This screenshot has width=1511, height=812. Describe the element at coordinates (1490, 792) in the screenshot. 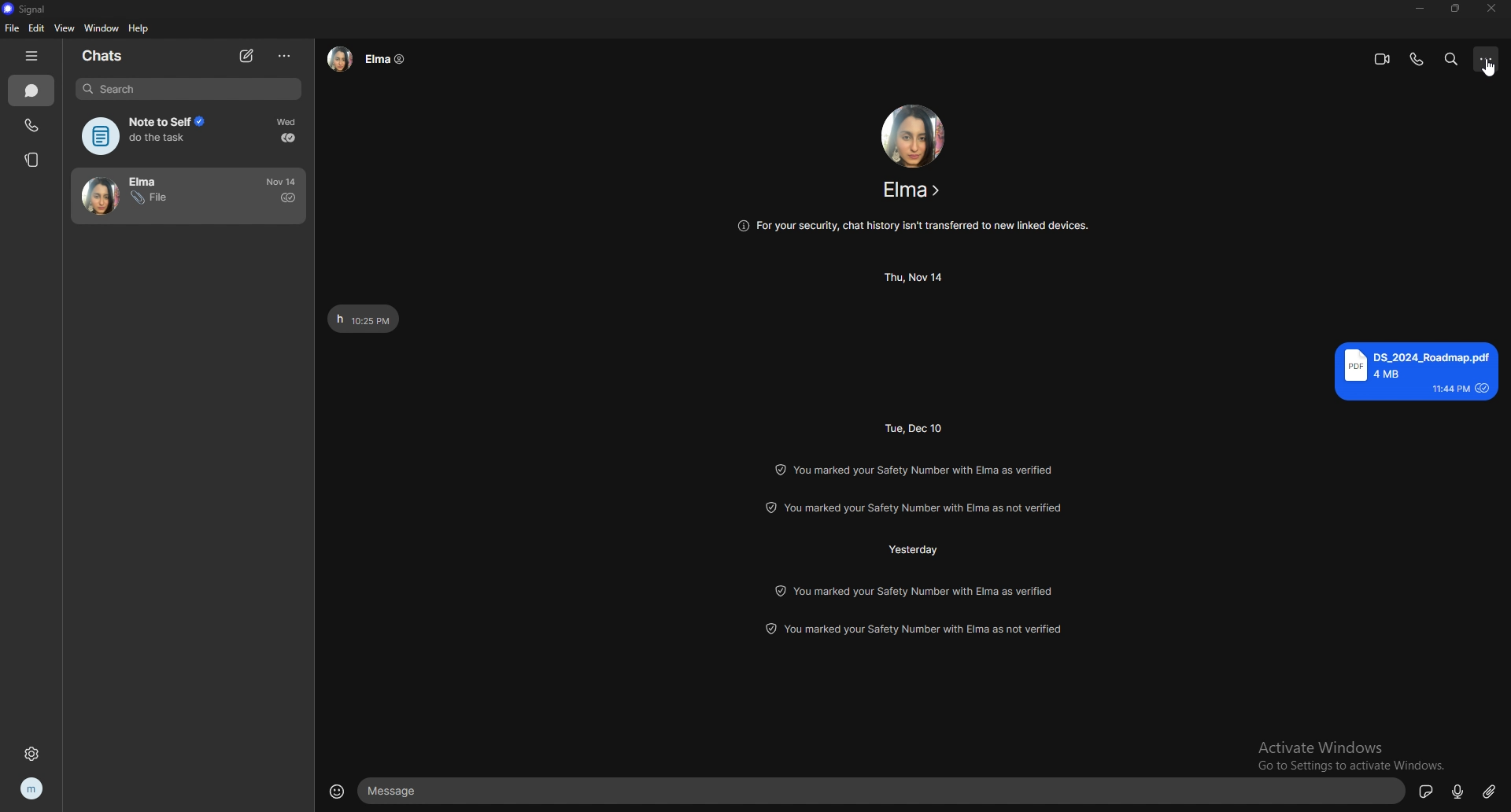

I see `attachment` at that location.